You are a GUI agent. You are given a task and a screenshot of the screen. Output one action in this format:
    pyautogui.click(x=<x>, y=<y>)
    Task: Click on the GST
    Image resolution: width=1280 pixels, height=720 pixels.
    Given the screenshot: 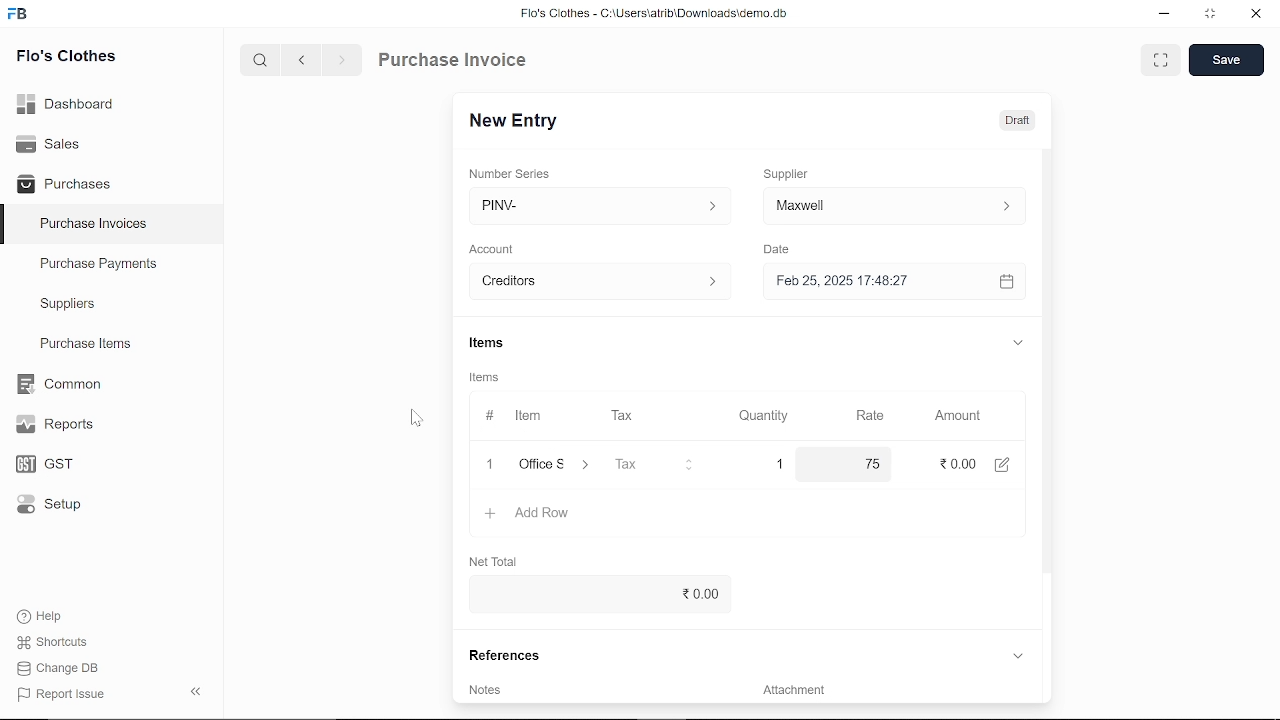 What is the action you would take?
    pyautogui.click(x=38, y=465)
    